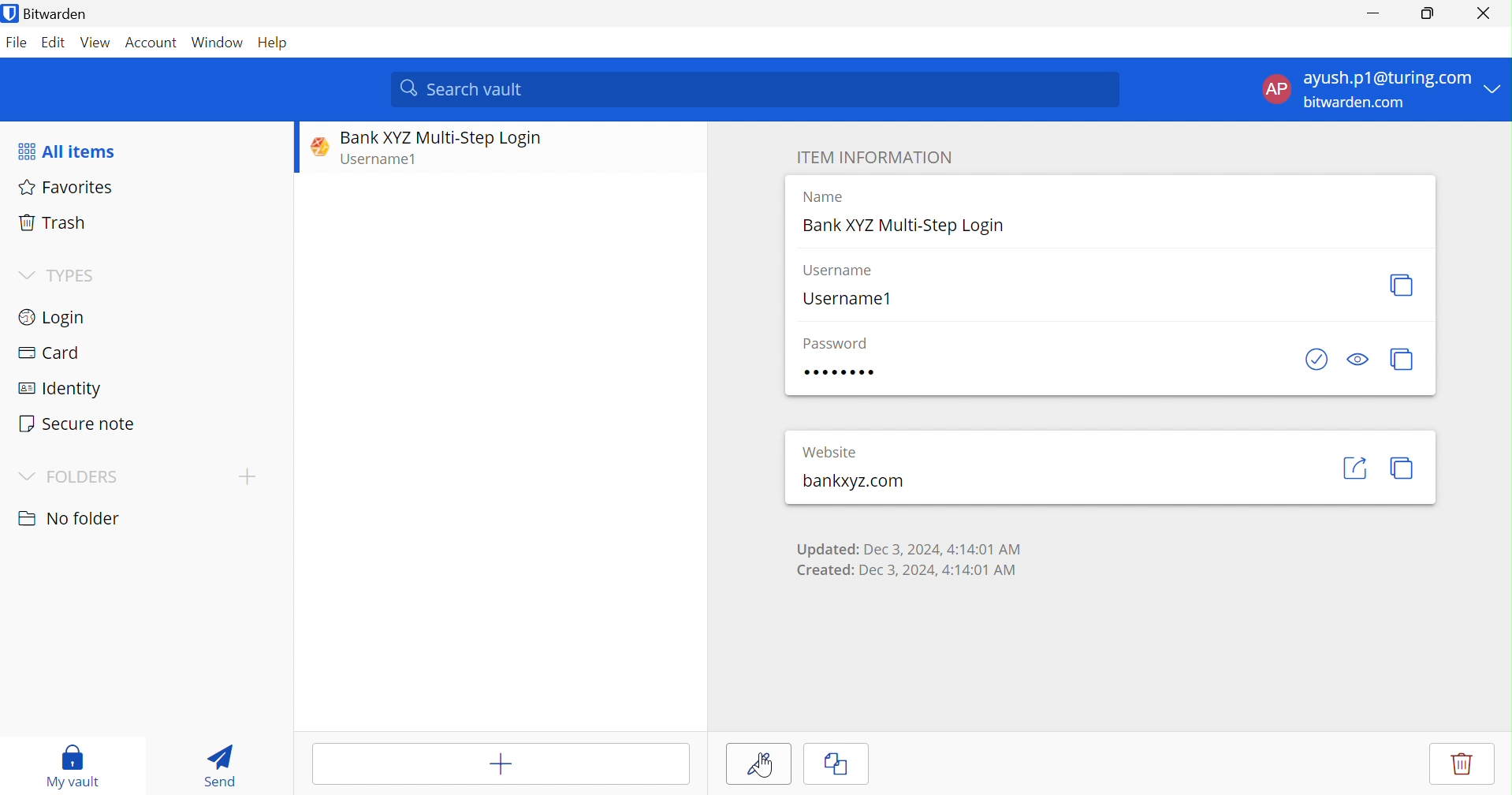 The image size is (1512, 795). I want to click on Username, so click(838, 268).